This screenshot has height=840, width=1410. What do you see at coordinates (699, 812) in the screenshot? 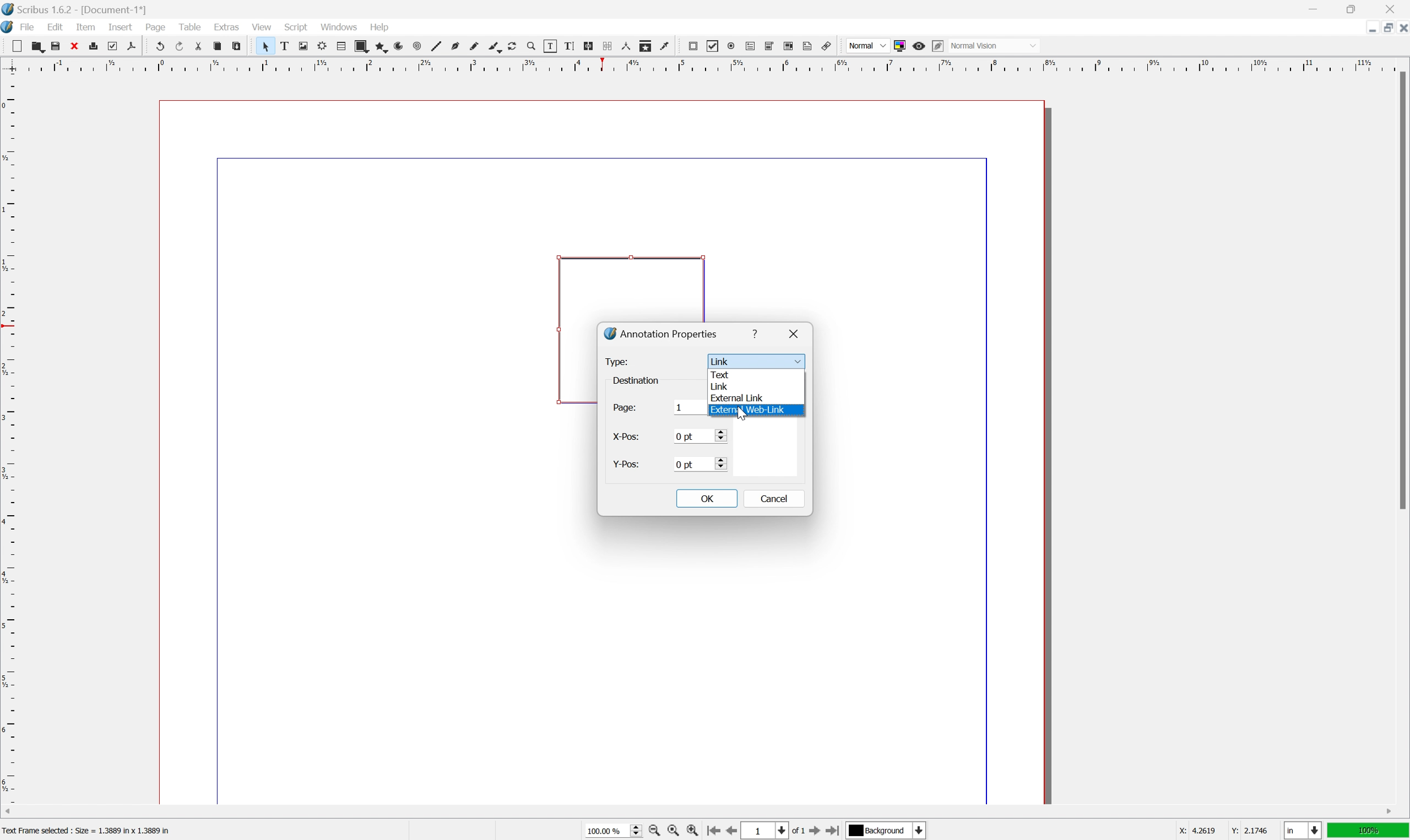
I see `scroll bar` at bounding box center [699, 812].